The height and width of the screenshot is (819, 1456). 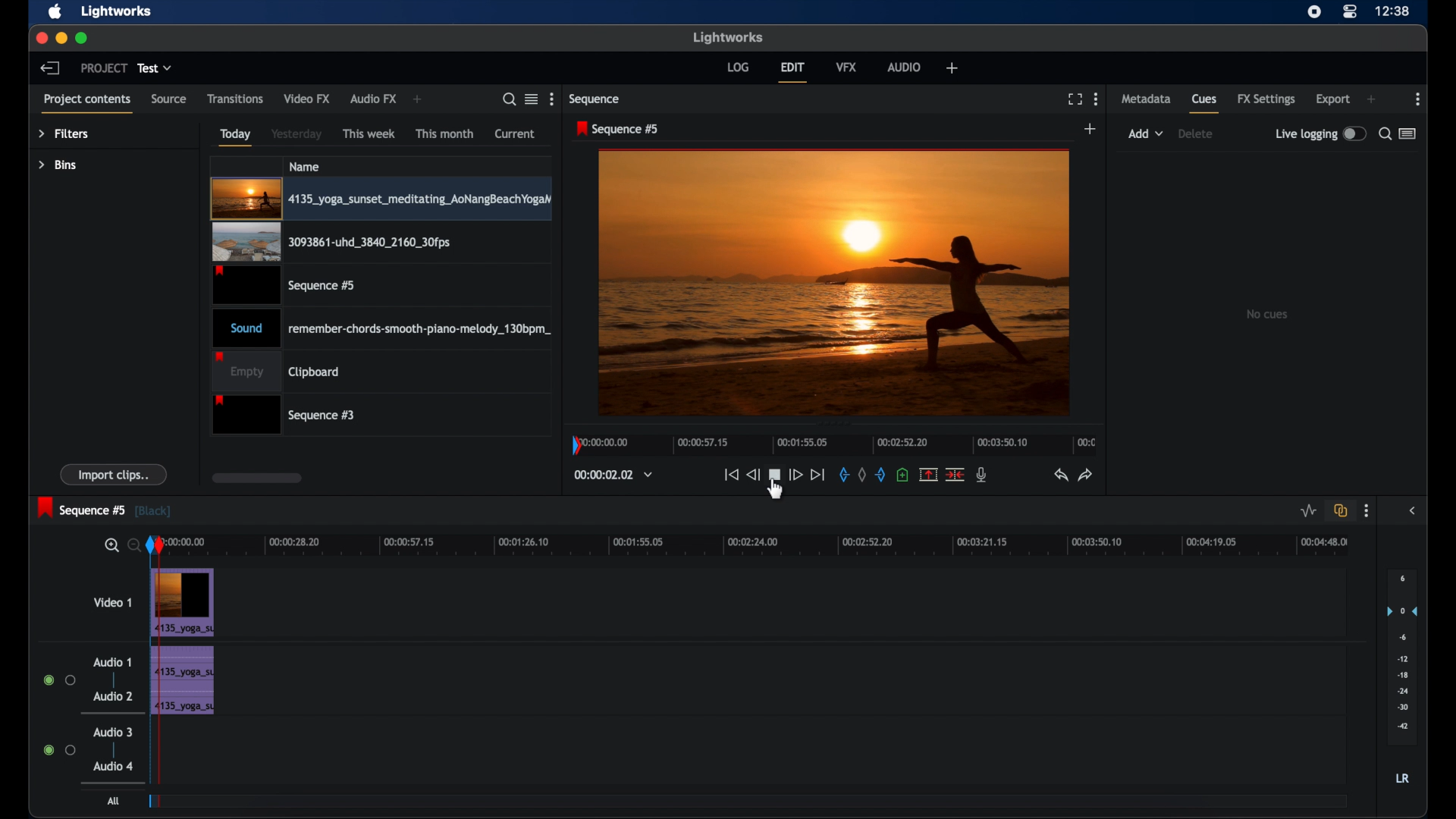 I want to click on audio output level, so click(x=1402, y=652).